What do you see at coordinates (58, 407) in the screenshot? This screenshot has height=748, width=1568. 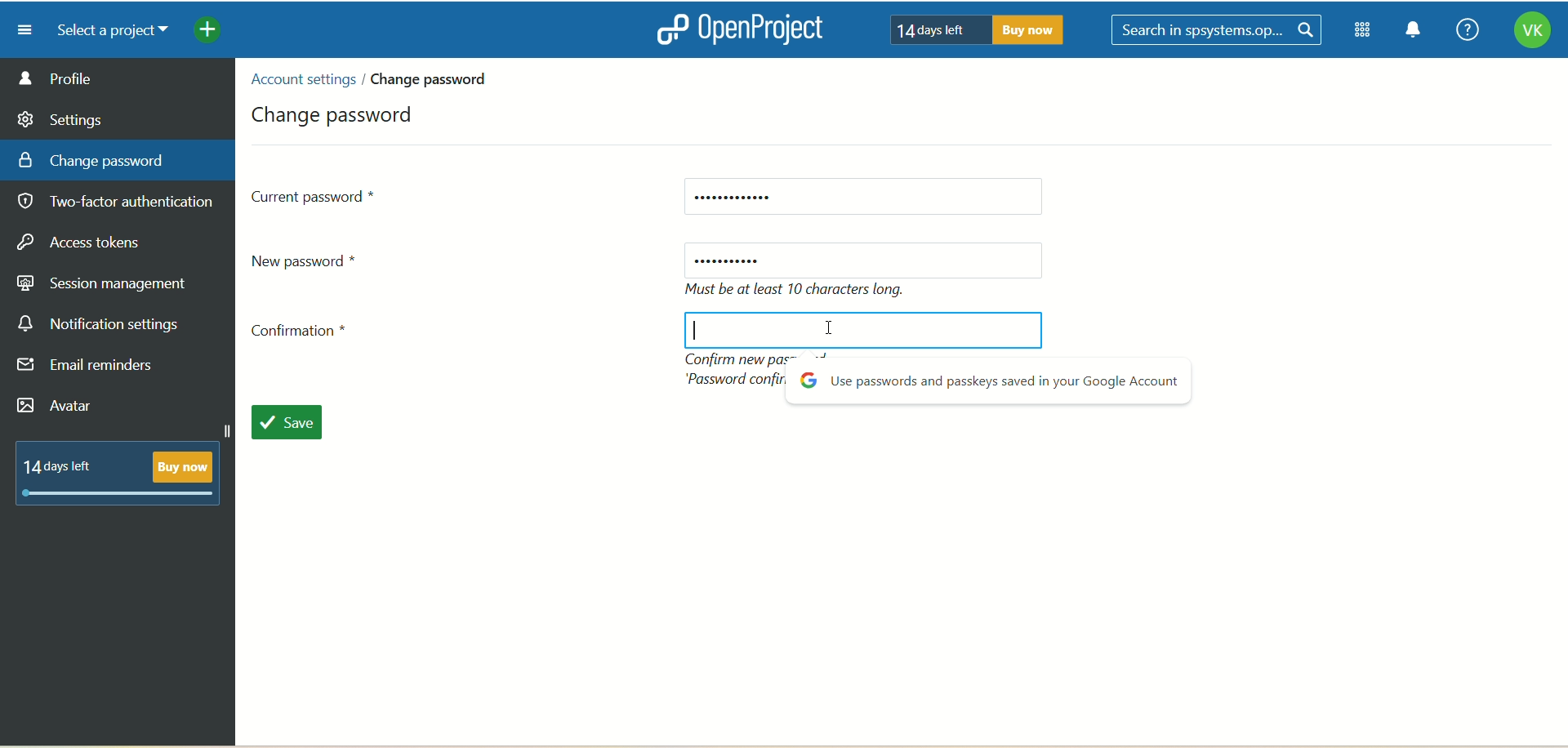 I see `avatar` at bounding box center [58, 407].